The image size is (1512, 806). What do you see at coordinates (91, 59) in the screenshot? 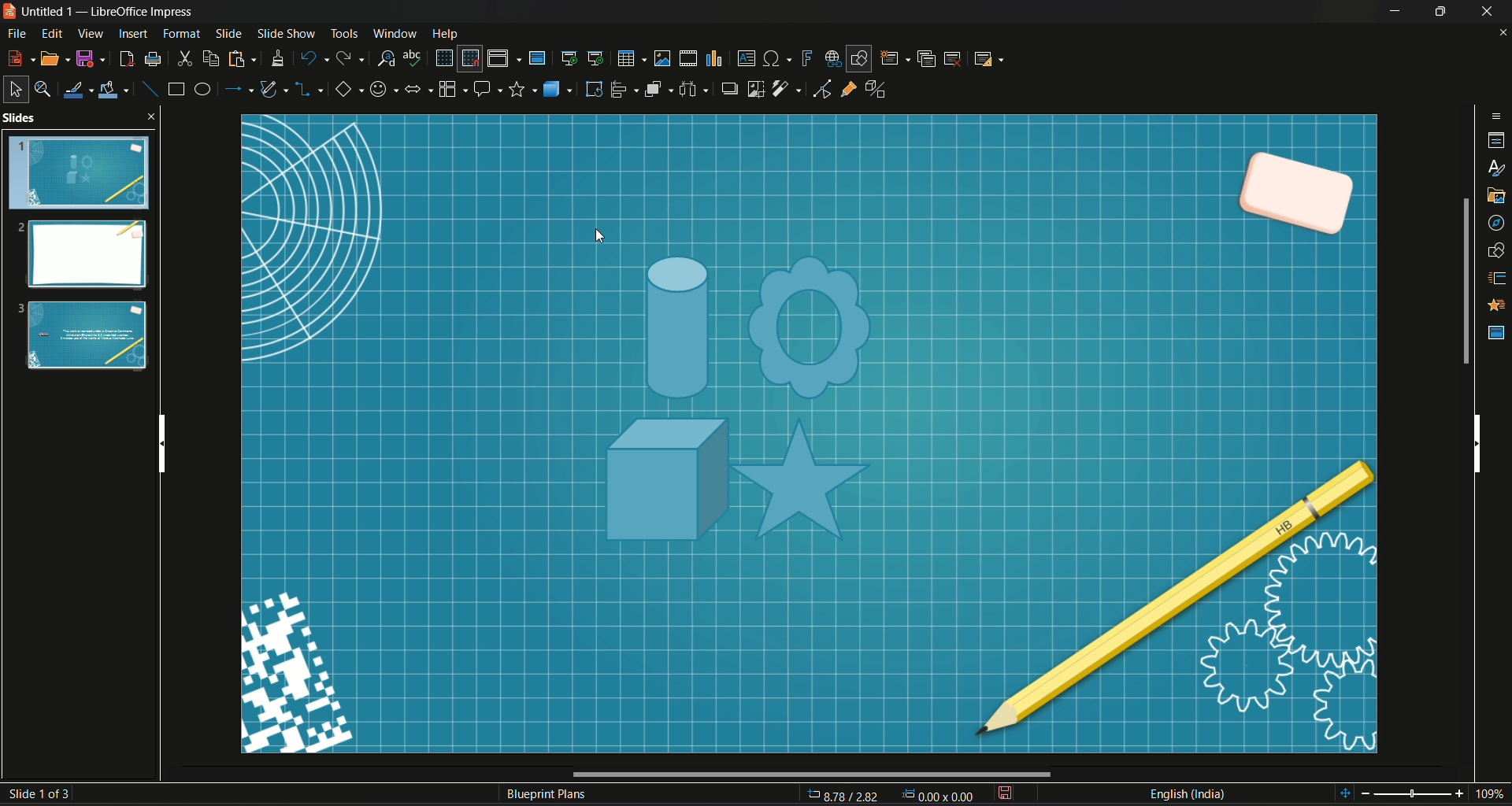
I see `Save` at bounding box center [91, 59].